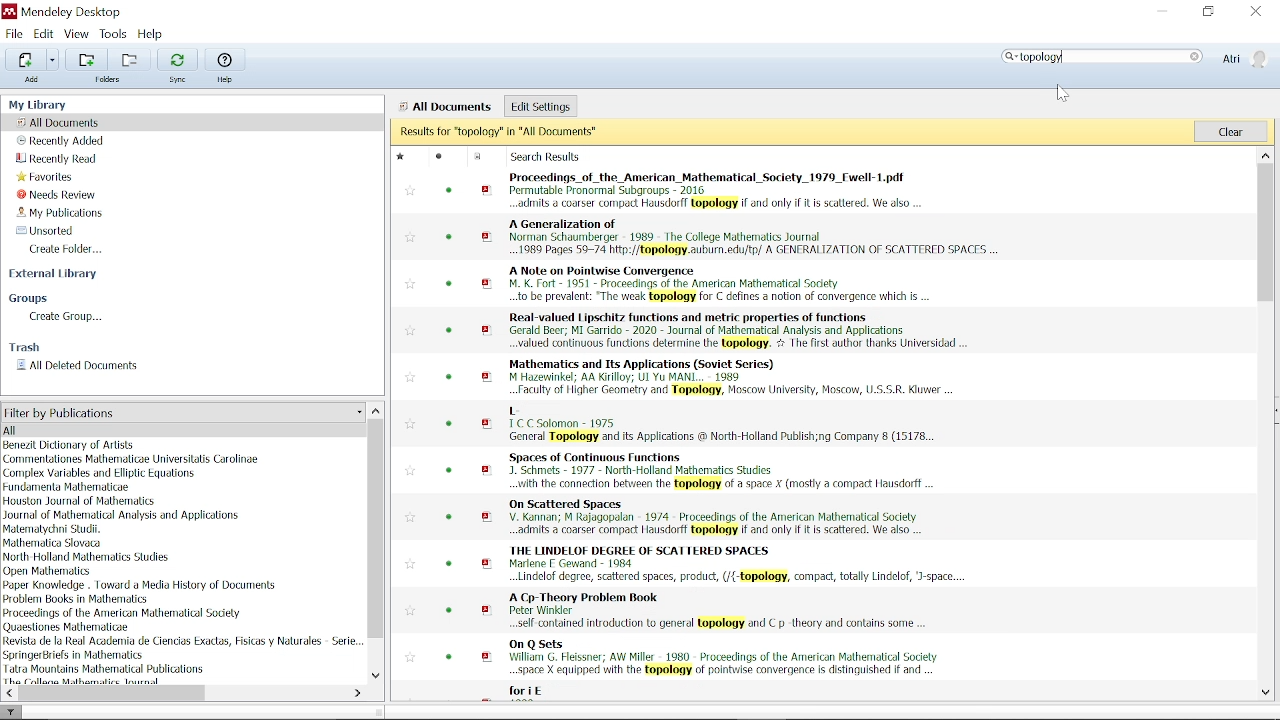 The image size is (1280, 720). I want to click on favourite, so click(409, 284).